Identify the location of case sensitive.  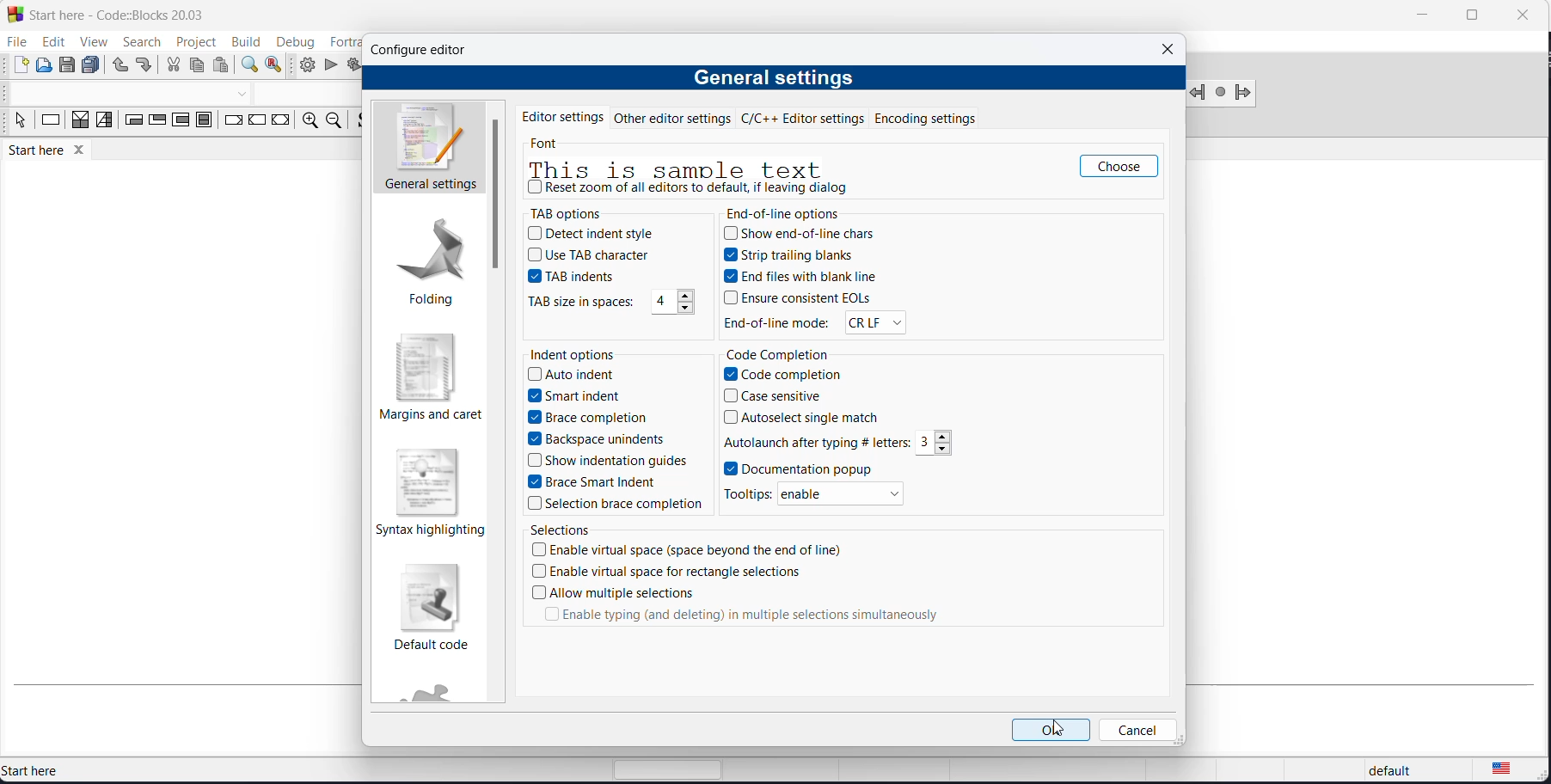
(774, 396).